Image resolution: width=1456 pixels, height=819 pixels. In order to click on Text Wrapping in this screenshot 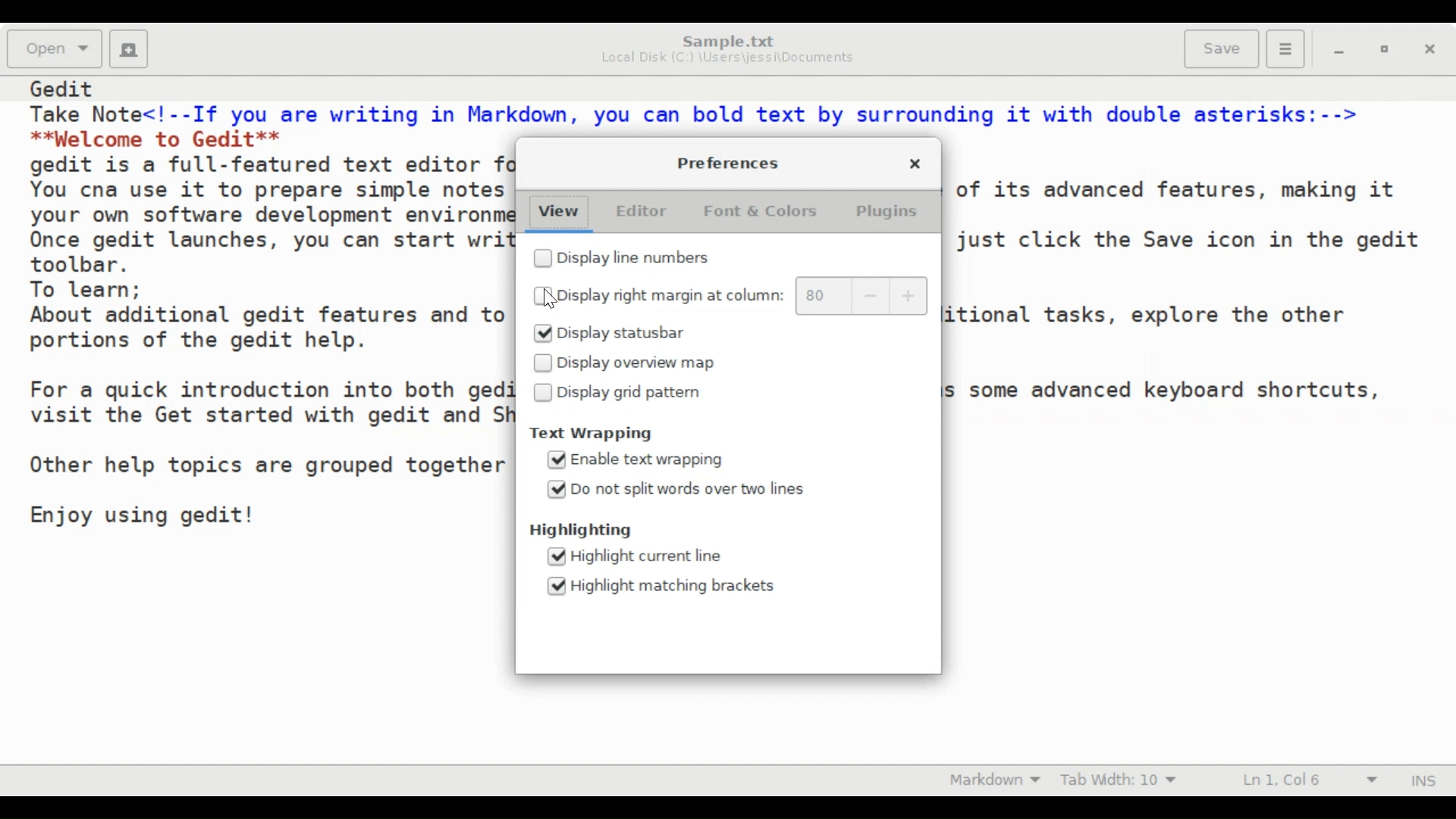, I will do `click(595, 435)`.